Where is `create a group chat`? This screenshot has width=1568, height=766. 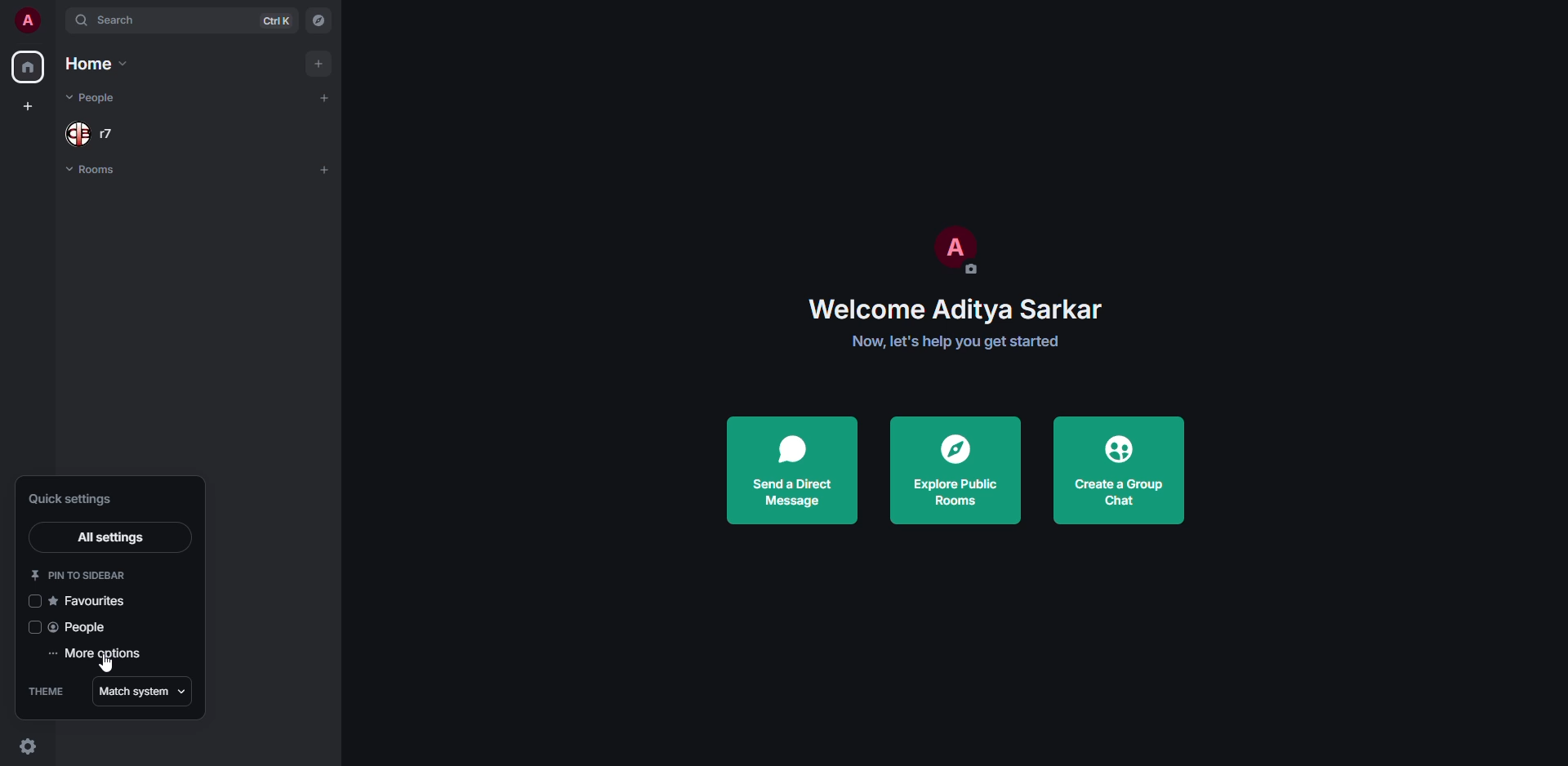
create a group chat is located at coordinates (1117, 470).